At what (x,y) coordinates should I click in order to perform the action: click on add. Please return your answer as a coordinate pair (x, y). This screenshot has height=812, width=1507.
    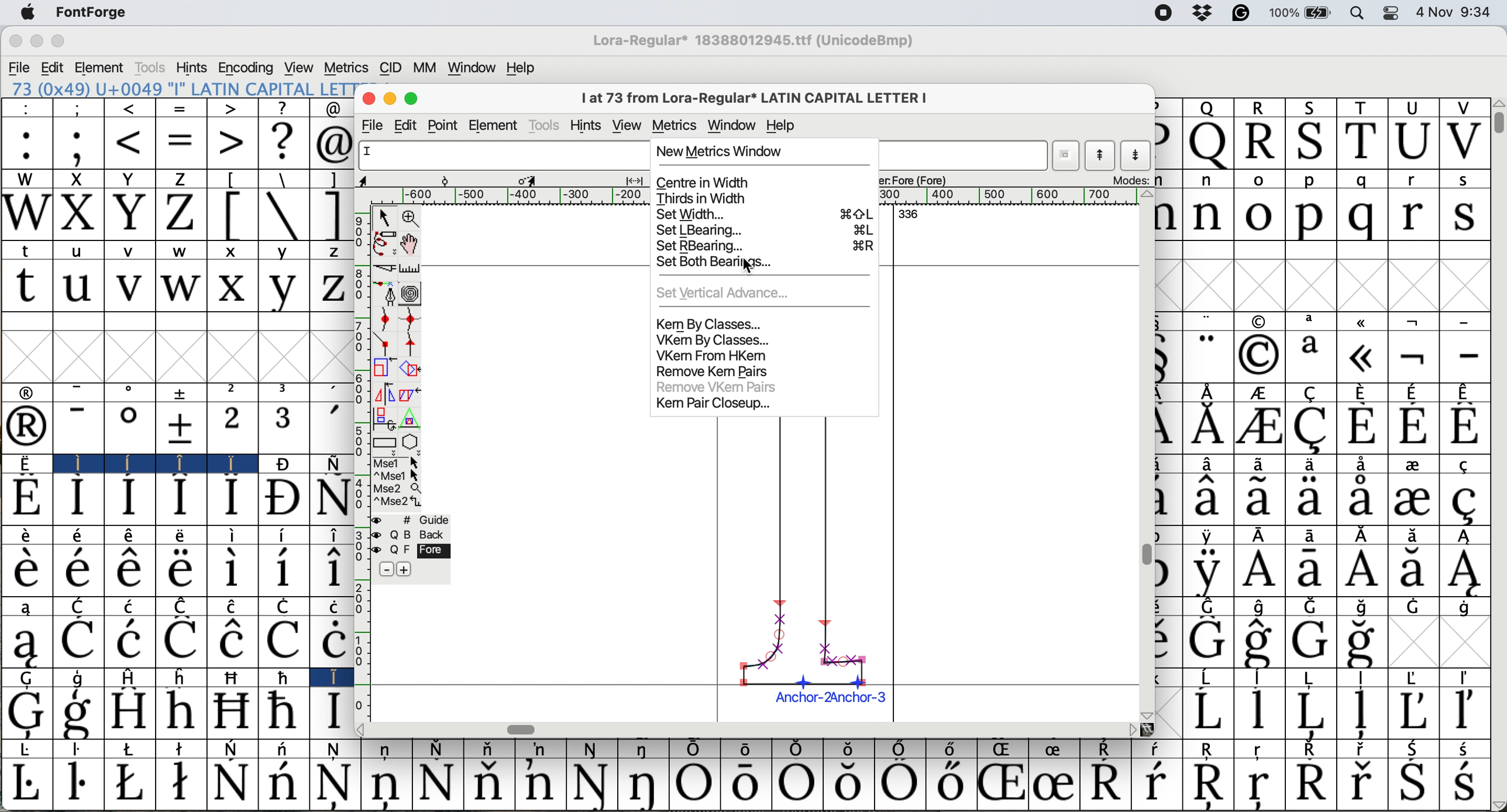
    Looking at the image, I should click on (406, 569).